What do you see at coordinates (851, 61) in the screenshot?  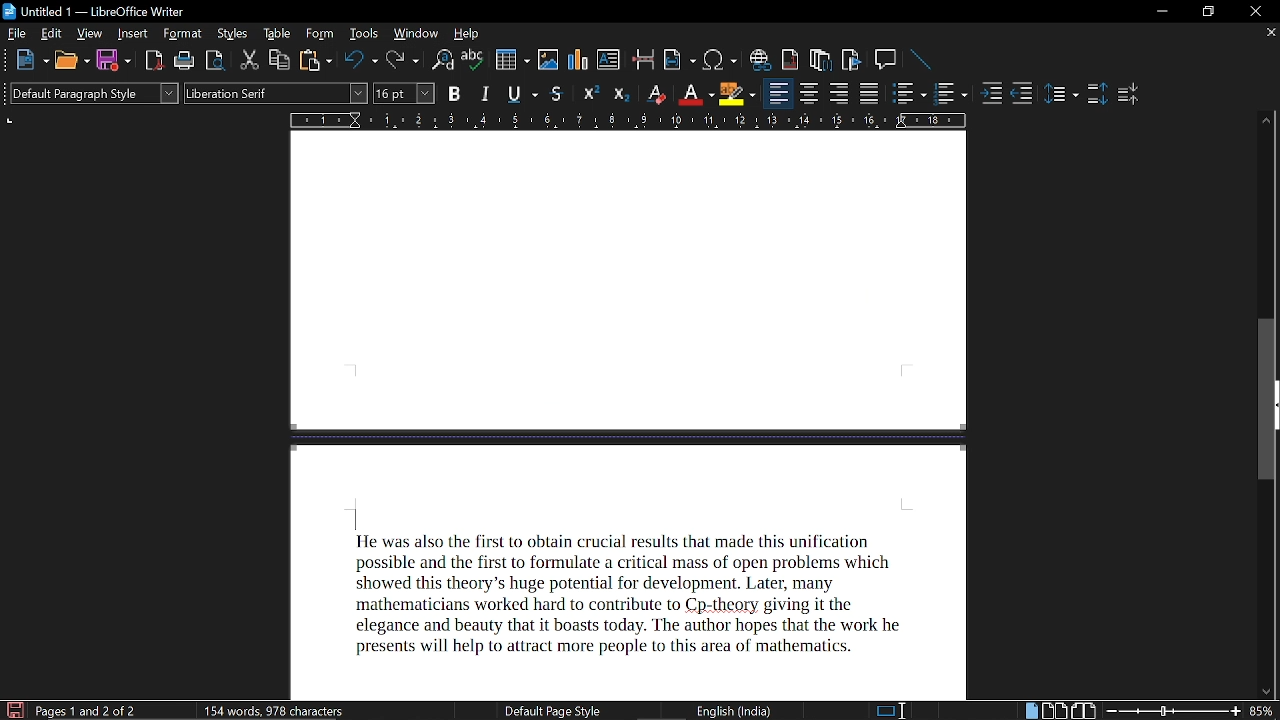 I see `Insert bookmark` at bounding box center [851, 61].